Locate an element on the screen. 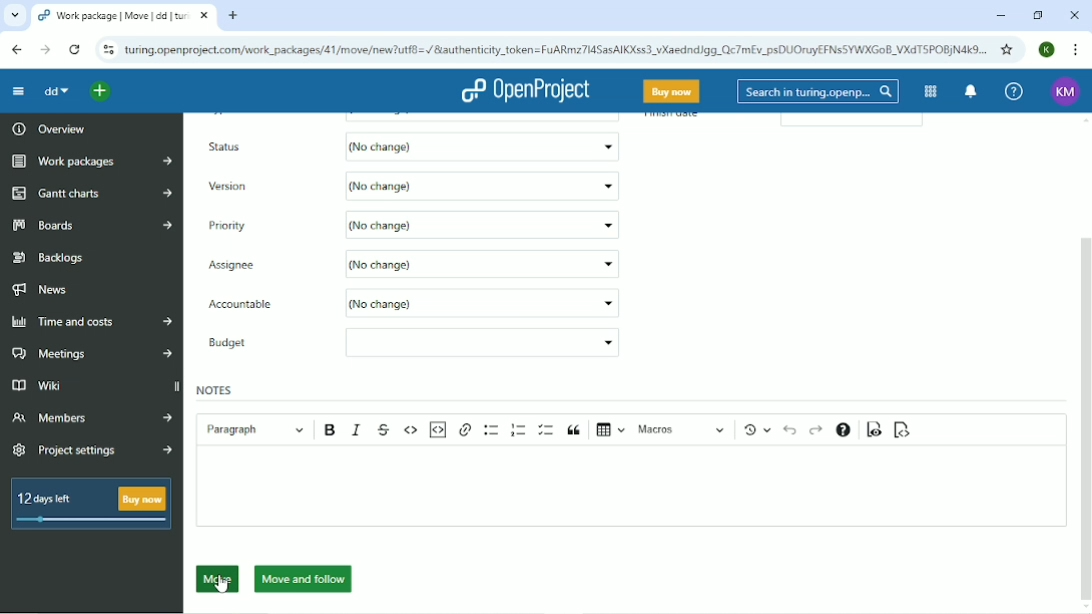  Search is located at coordinates (818, 92).